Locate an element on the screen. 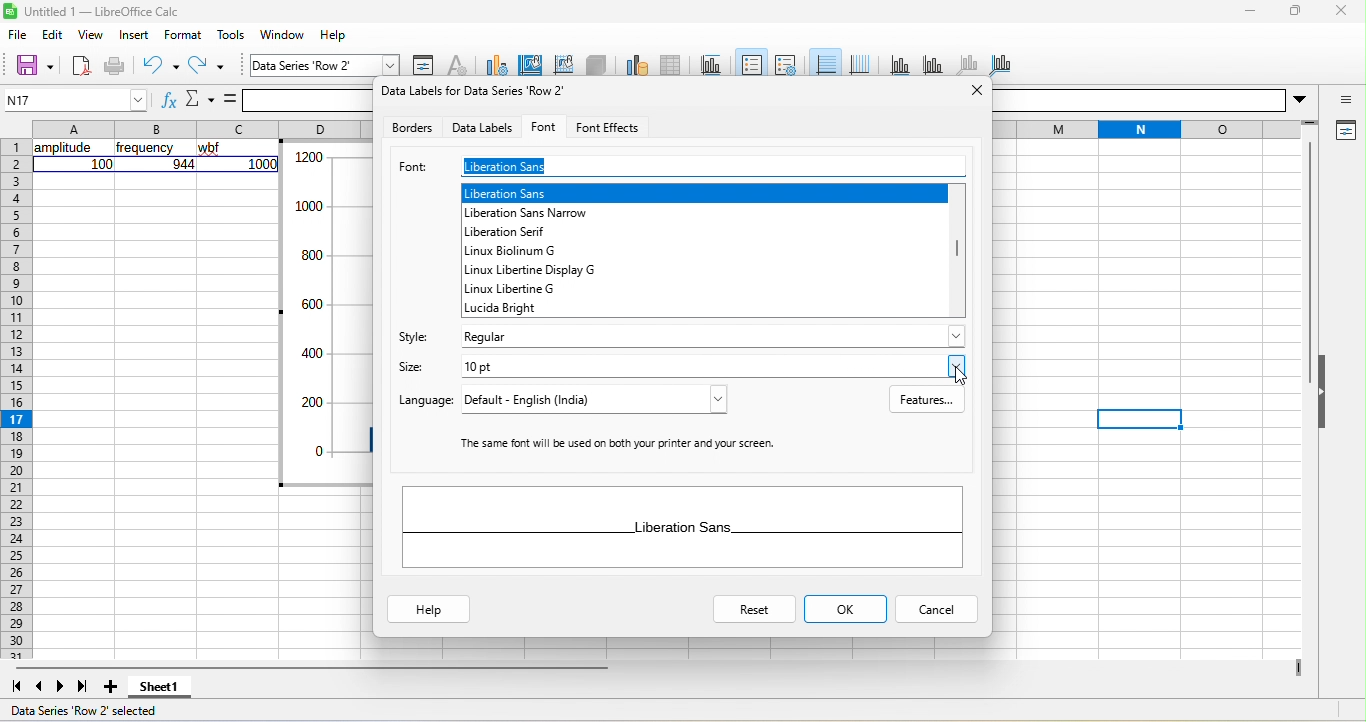 The height and width of the screenshot is (722, 1366). 100 is located at coordinates (102, 164).